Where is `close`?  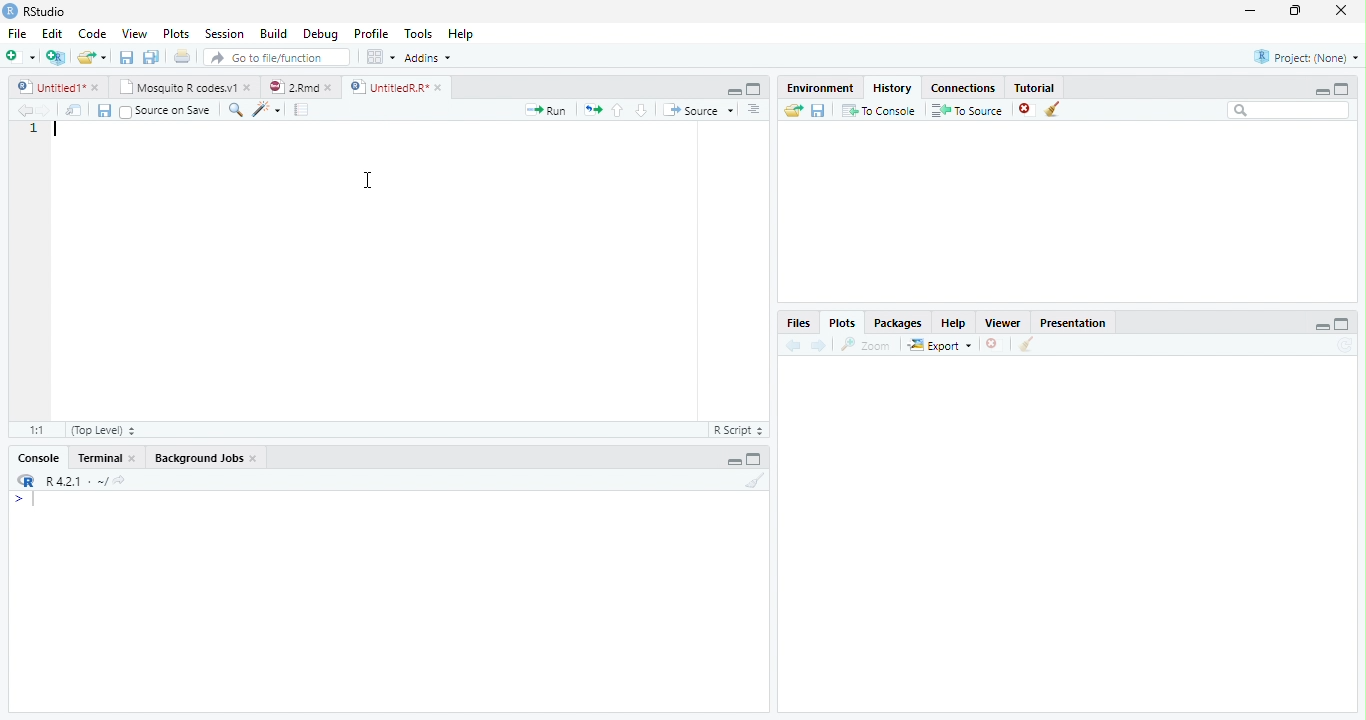 close is located at coordinates (136, 458).